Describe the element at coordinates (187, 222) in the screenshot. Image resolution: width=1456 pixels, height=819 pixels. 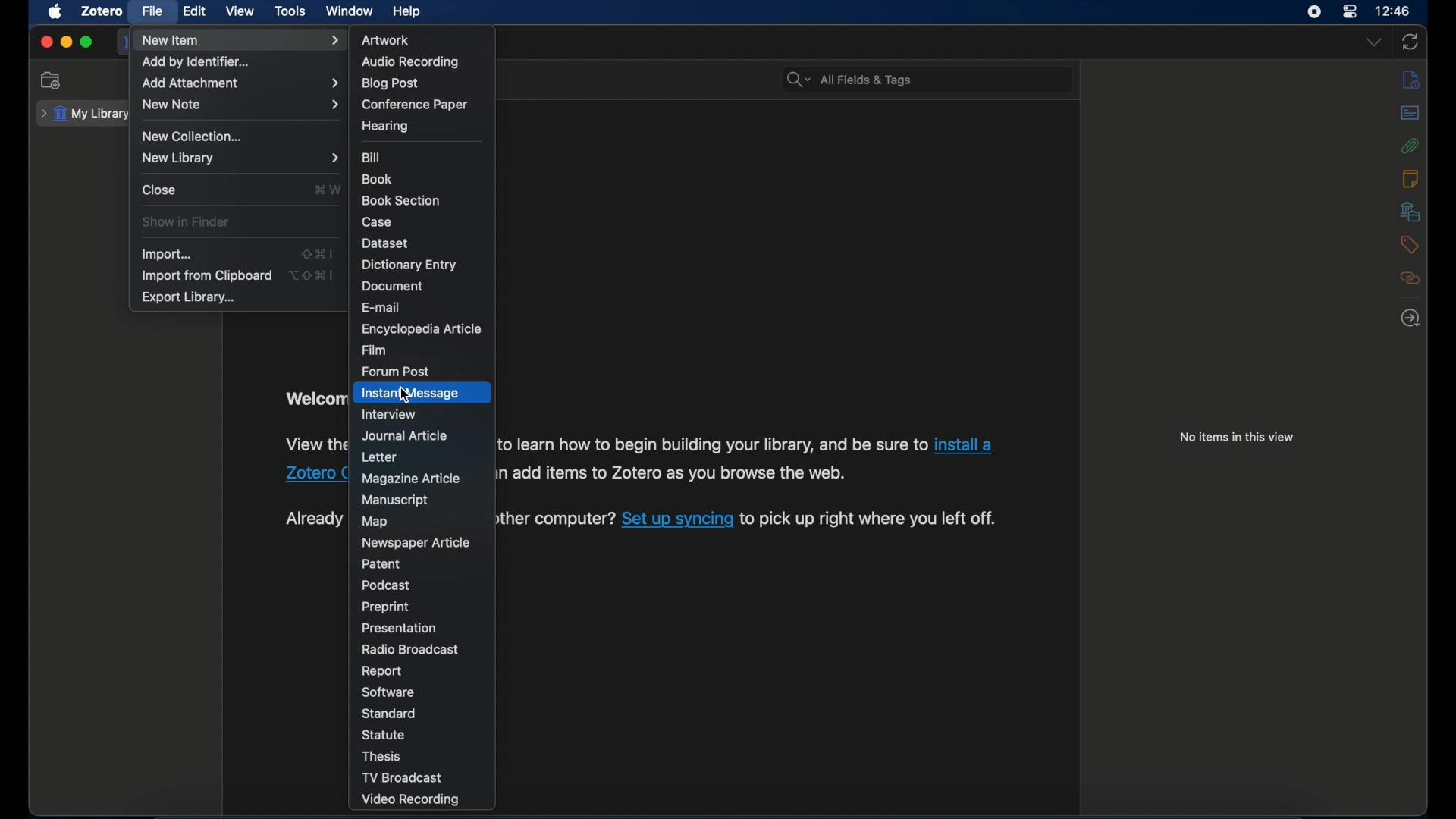
I see `show in finder` at that location.